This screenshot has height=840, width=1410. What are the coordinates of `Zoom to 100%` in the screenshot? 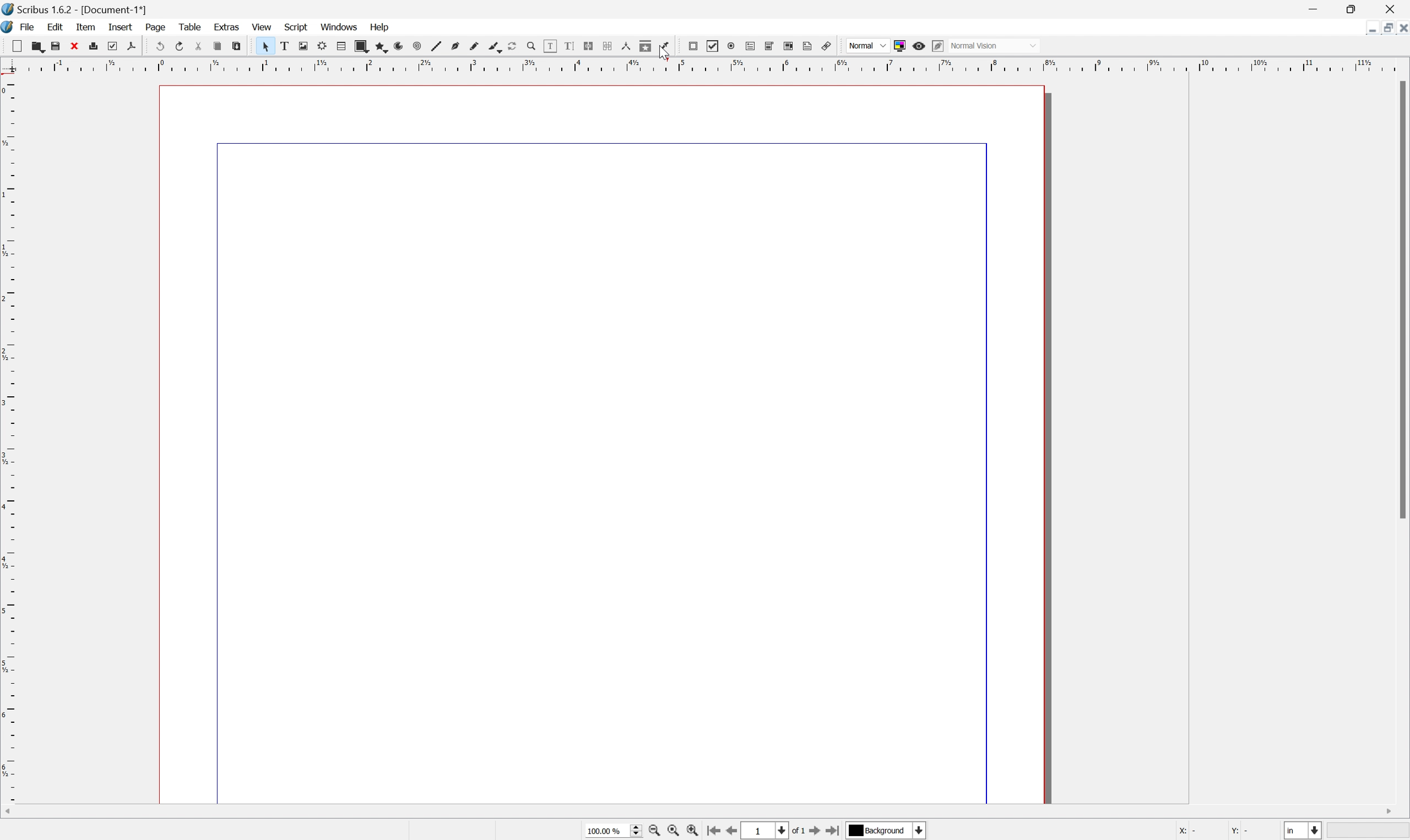 It's located at (671, 832).